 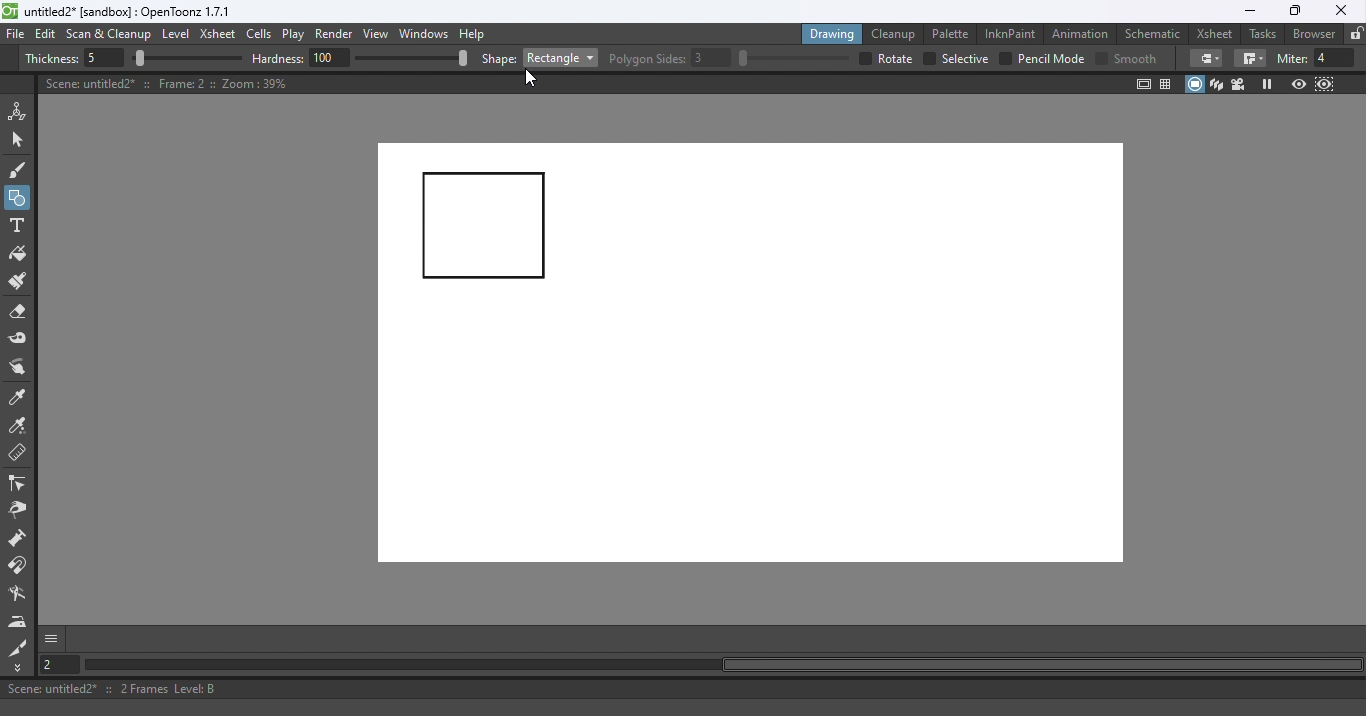 What do you see at coordinates (280, 58) in the screenshot?
I see `hardness` at bounding box center [280, 58].